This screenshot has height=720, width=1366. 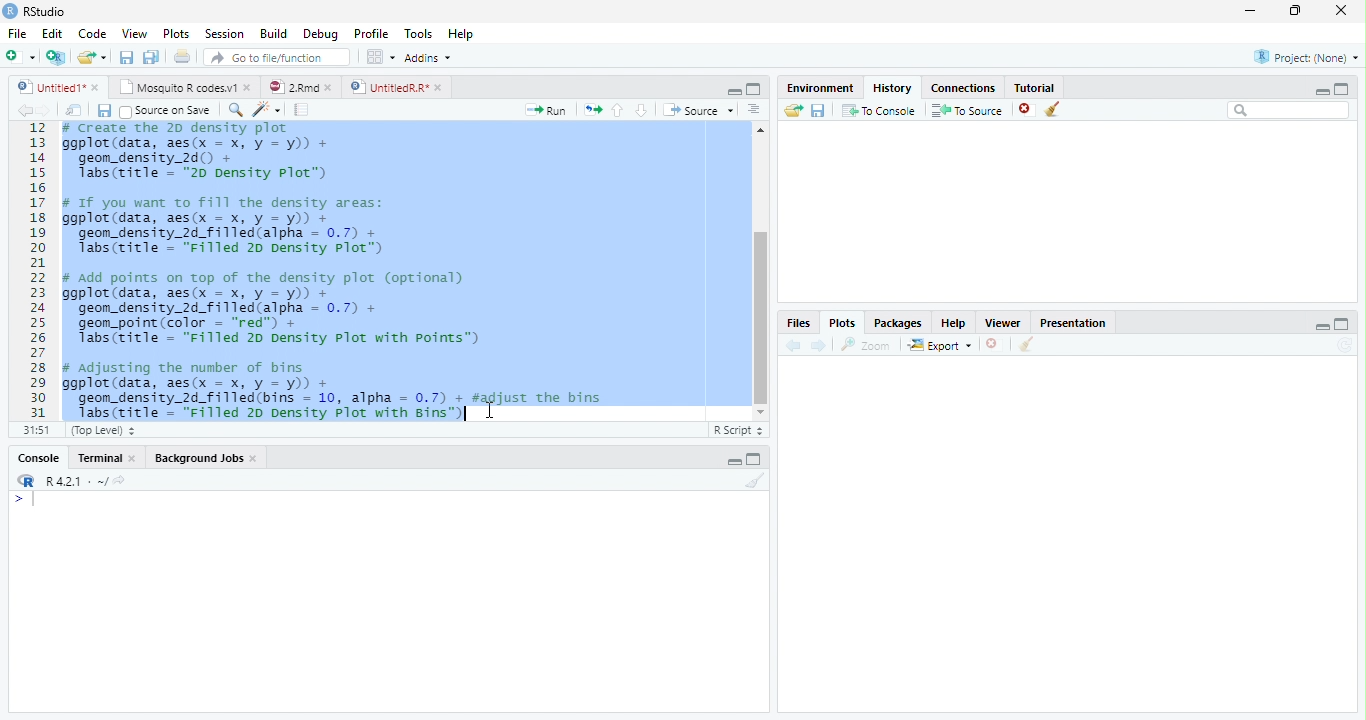 I want to click on (Top Level), so click(x=101, y=431).